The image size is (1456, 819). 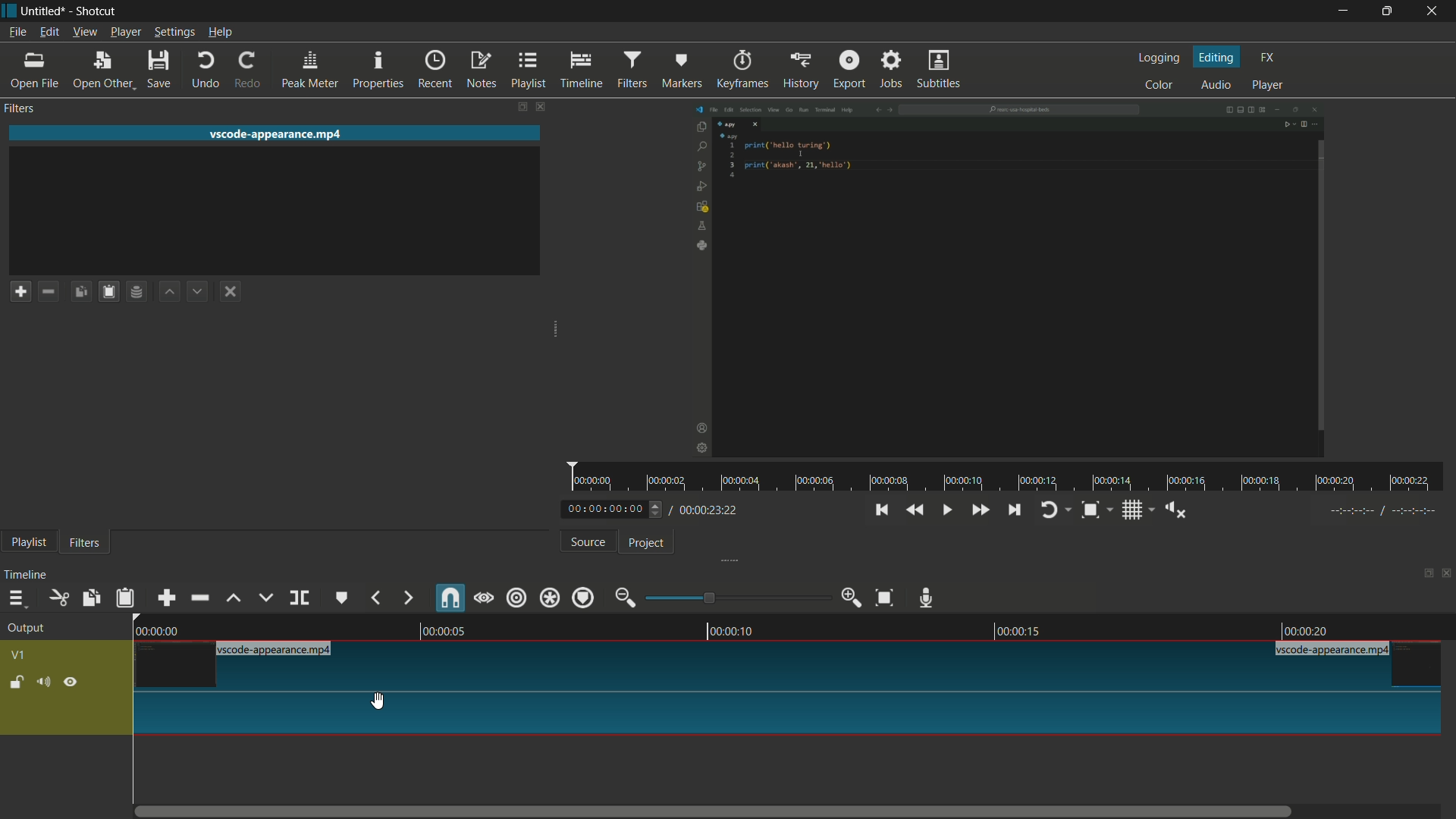 I want to click on split at playhead, so click(x=301, y=598).